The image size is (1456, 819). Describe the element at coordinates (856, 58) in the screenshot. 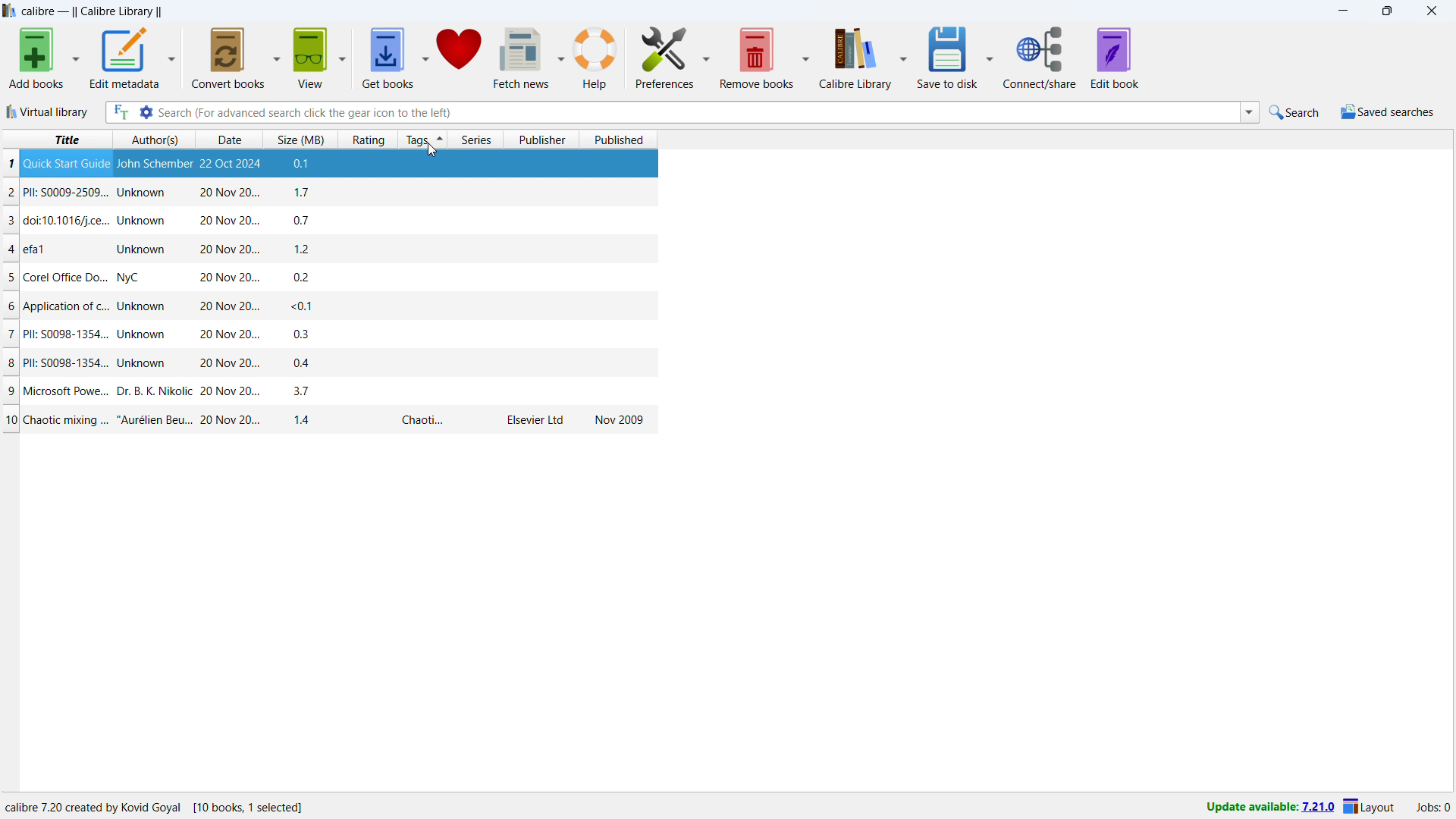

I see `calibre library` at that location.